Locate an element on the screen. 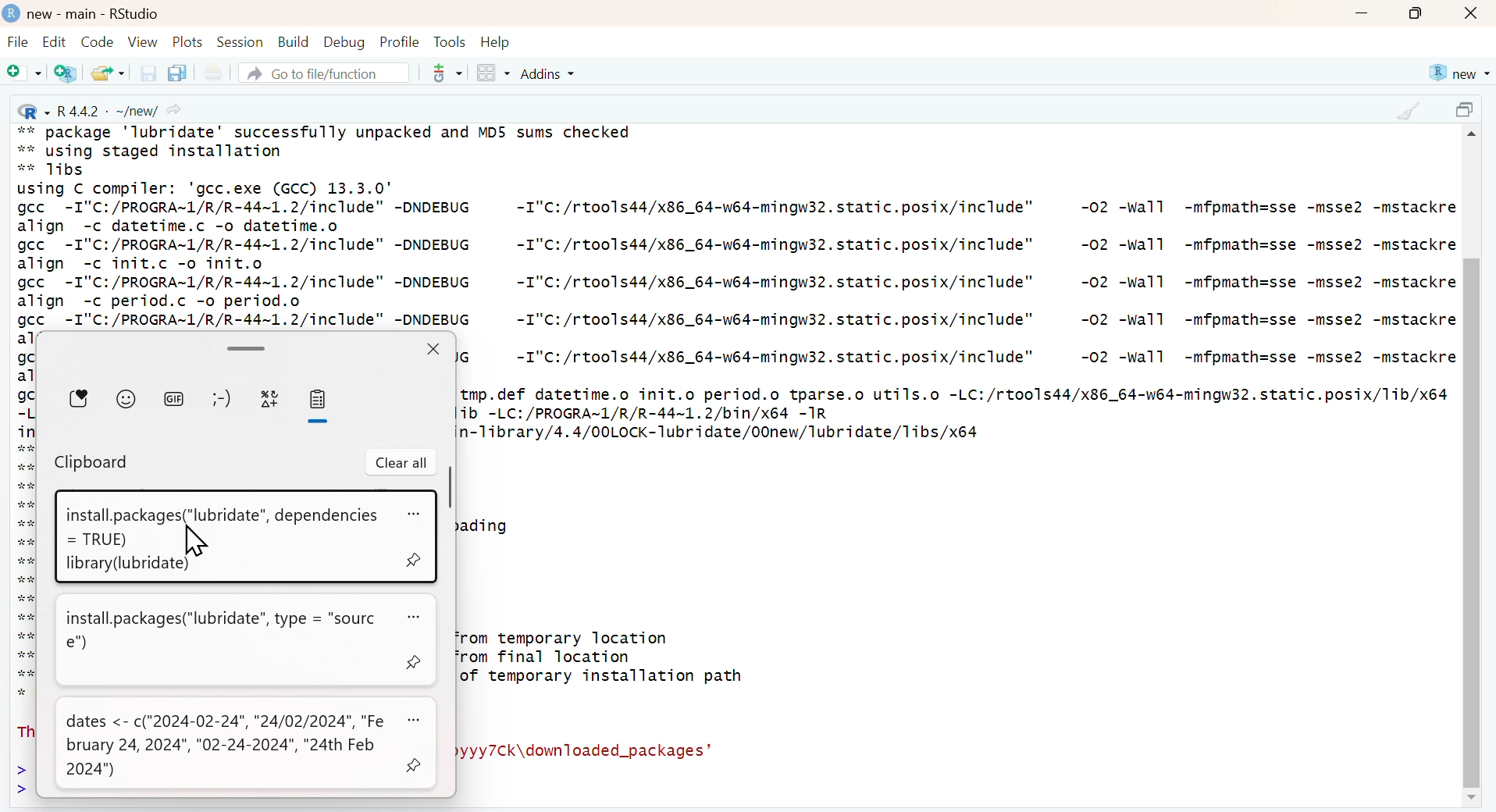  clear console is located at coordinates (1408, 111).